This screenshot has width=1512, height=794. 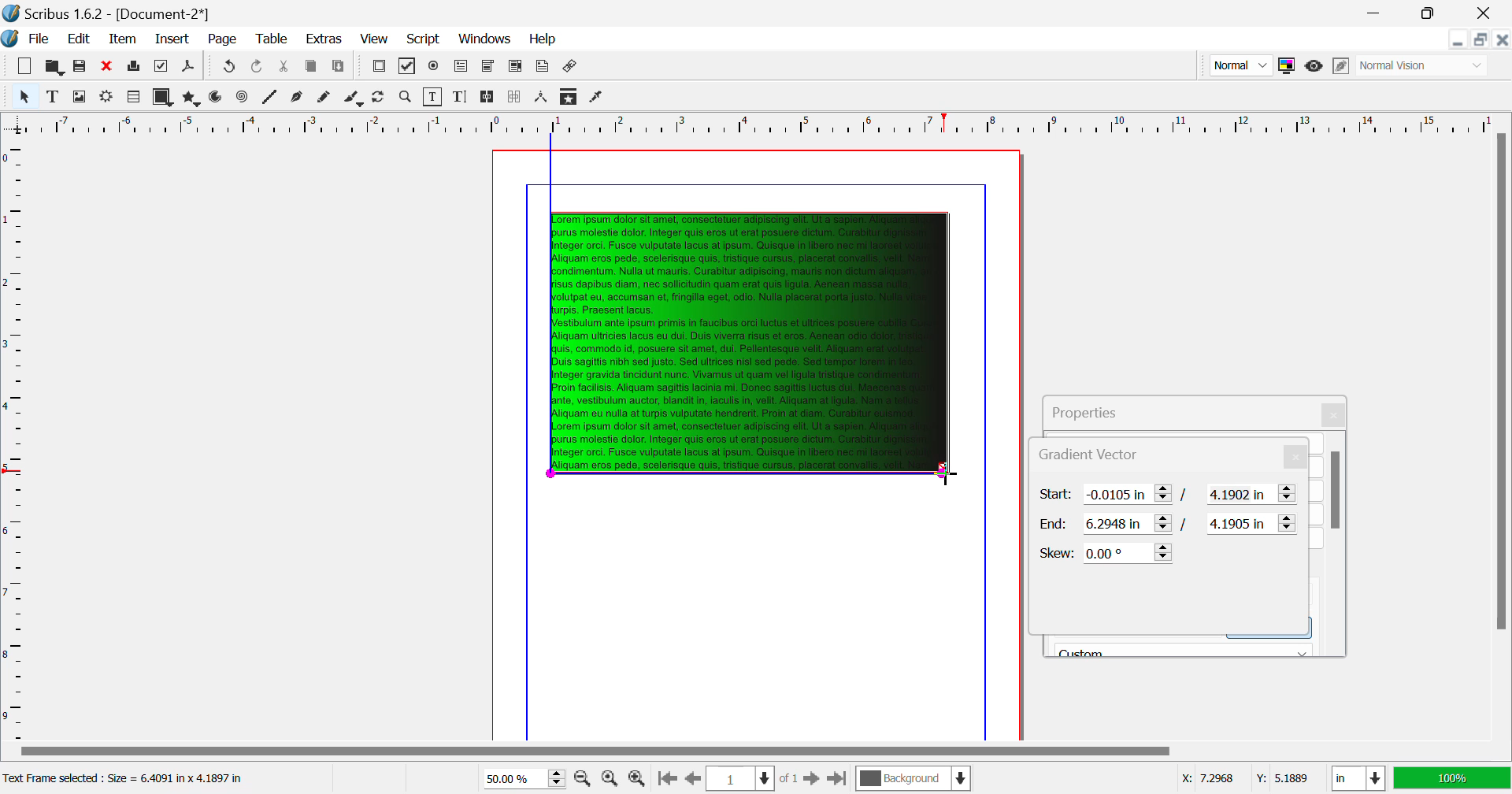 I want to click on Preflight Verifier, so click(x=162, y=66).